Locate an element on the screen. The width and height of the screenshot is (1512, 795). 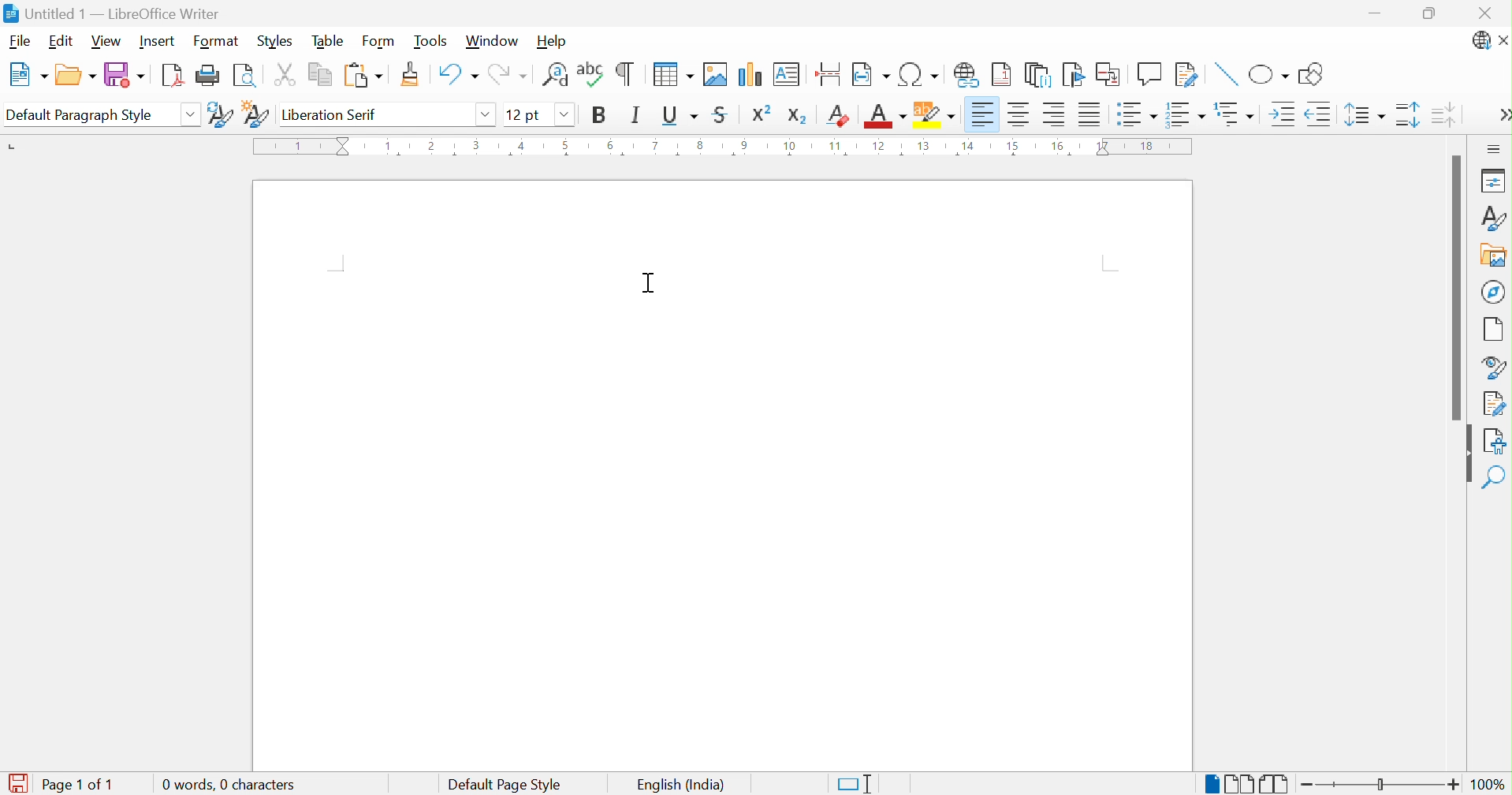
Save is located at coordinates (126, 75).